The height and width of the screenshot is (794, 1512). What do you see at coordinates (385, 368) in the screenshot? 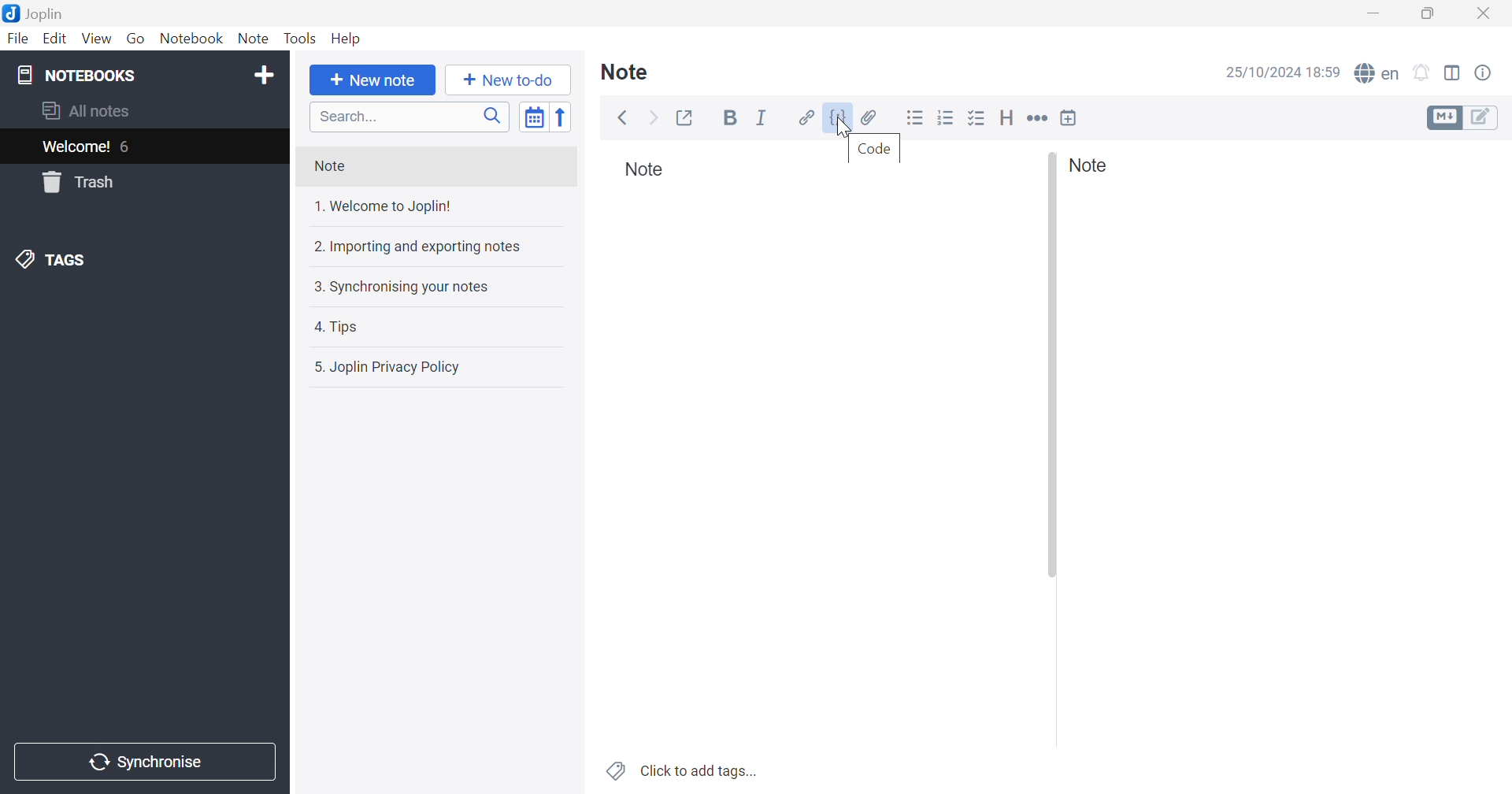
I see `5. Joplin Privacy Policy` at bounding box center [385, 368].